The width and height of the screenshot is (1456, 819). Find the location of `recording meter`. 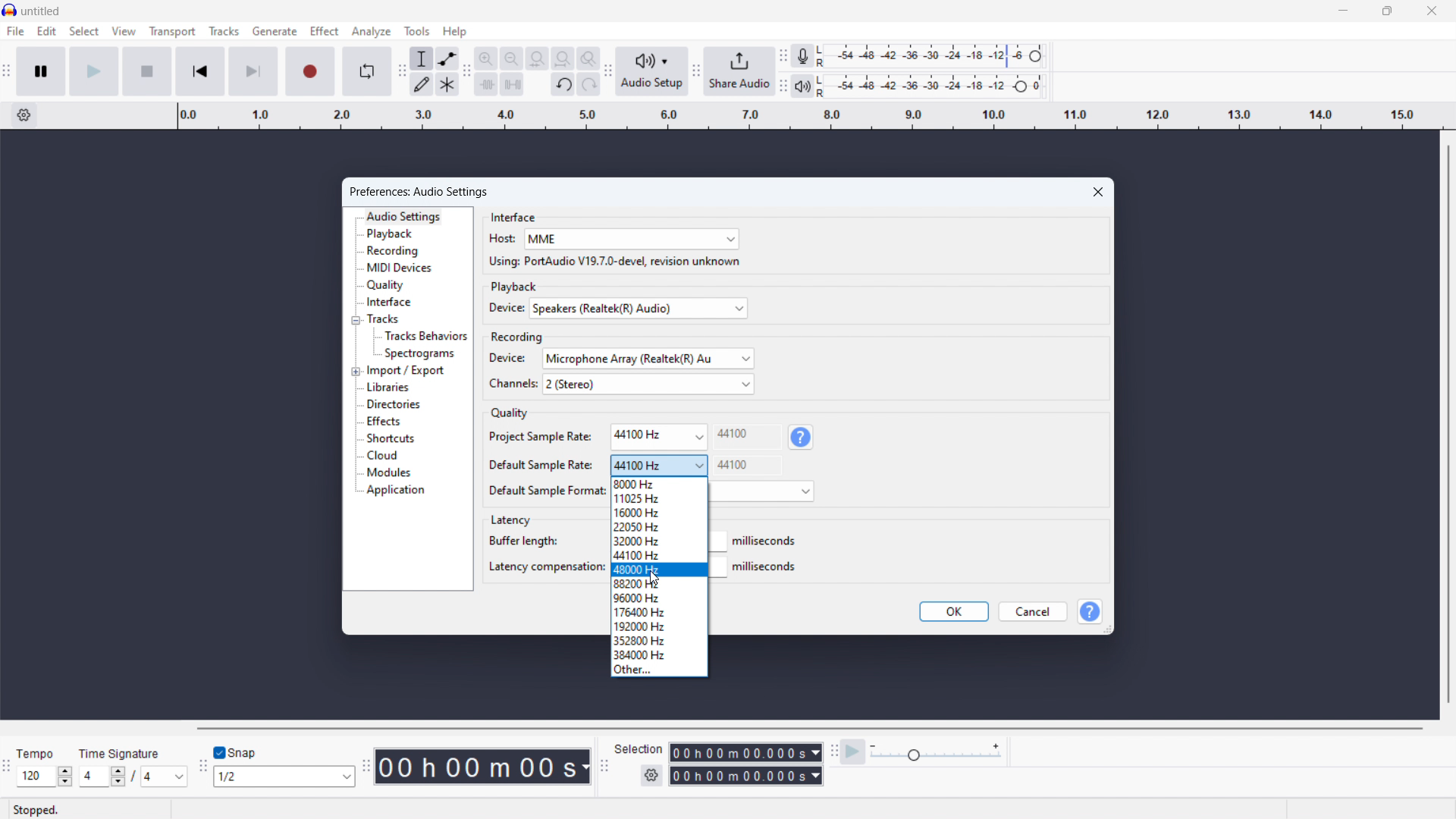

recording meter is located at coordinates (803, 56).